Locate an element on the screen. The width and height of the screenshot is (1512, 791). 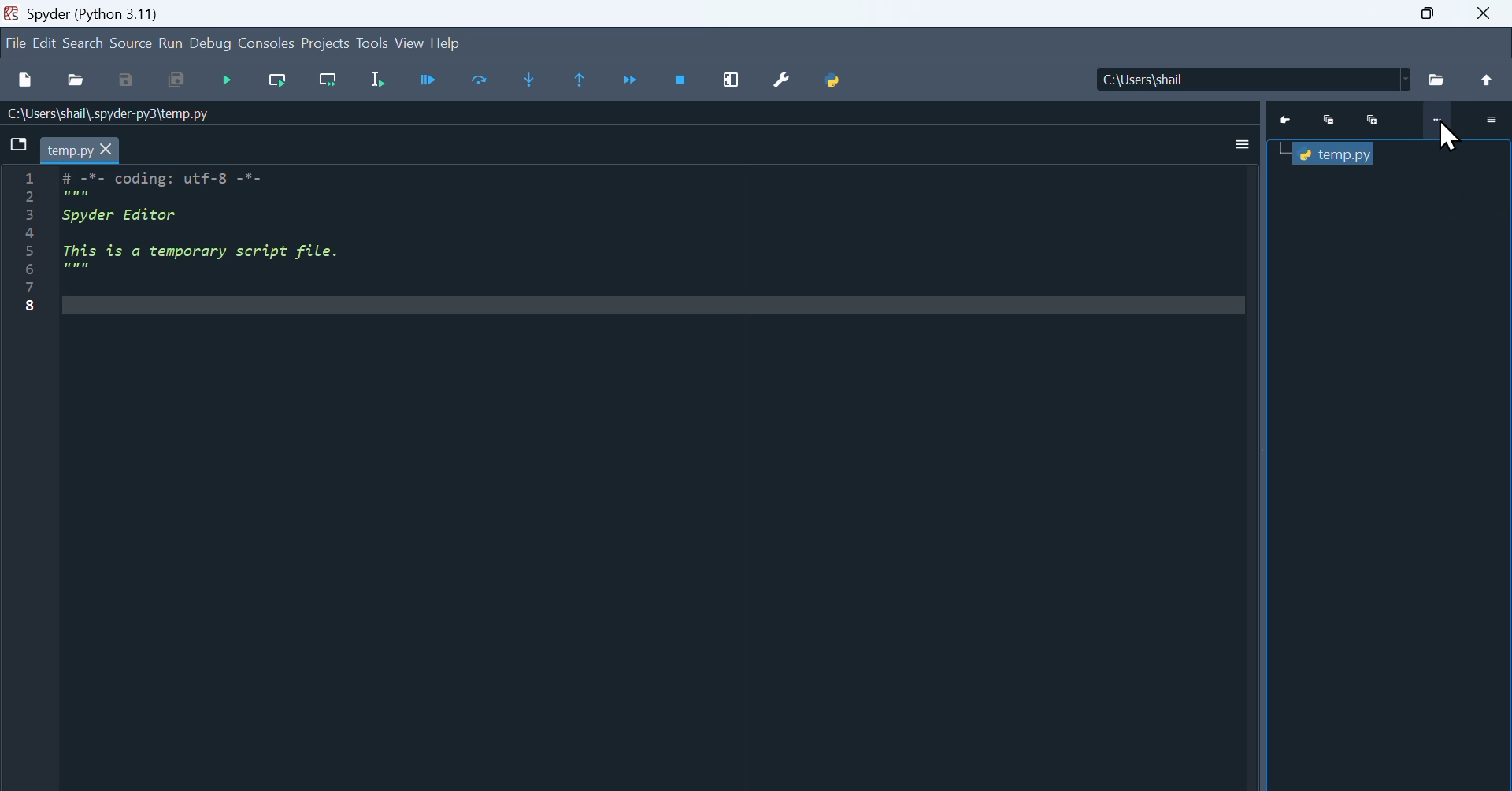
Spyder (Python 3.11) is located at coordinates (100, 13).